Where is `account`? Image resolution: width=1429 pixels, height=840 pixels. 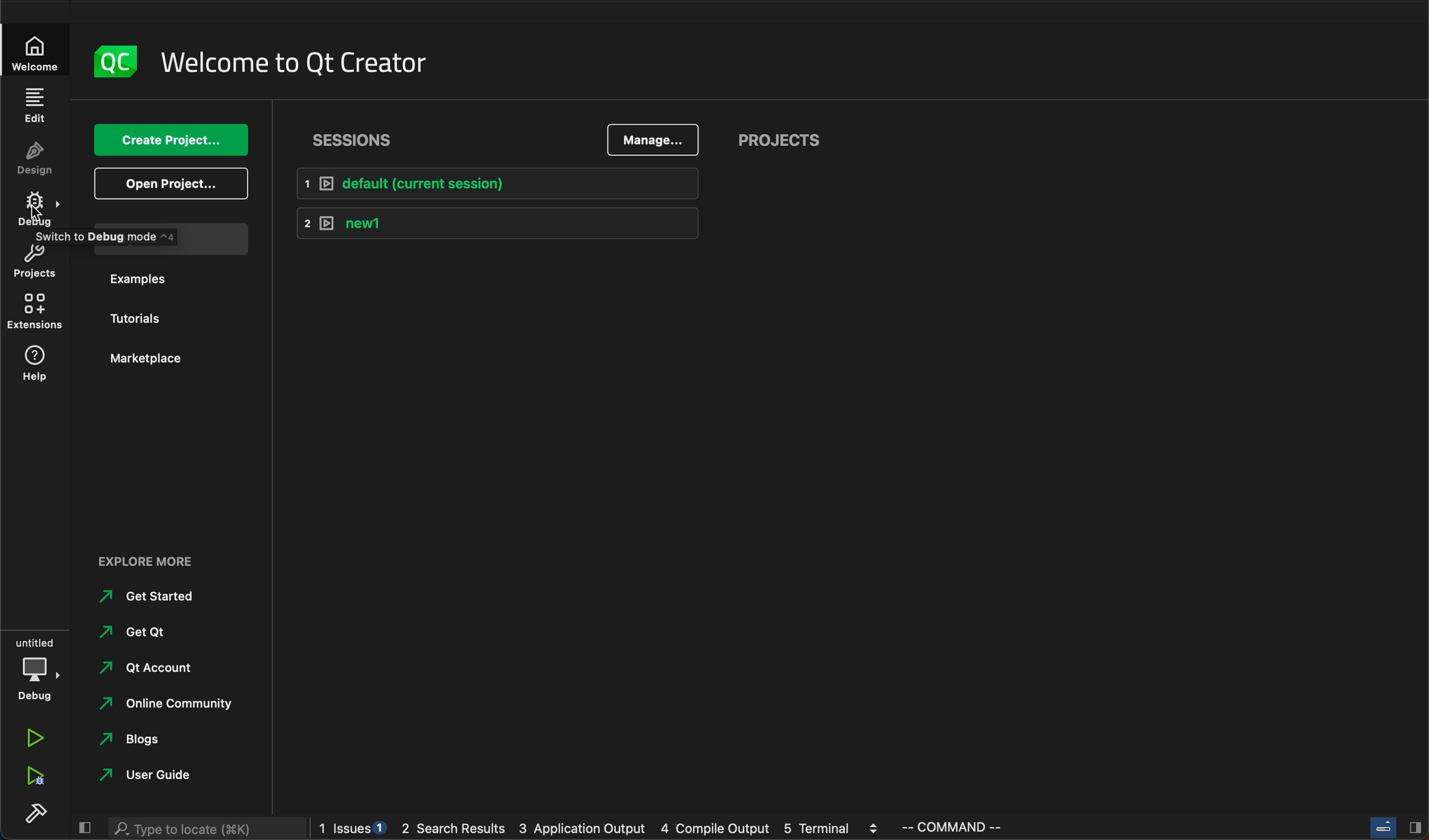
account is located at coordinates (153, 669).